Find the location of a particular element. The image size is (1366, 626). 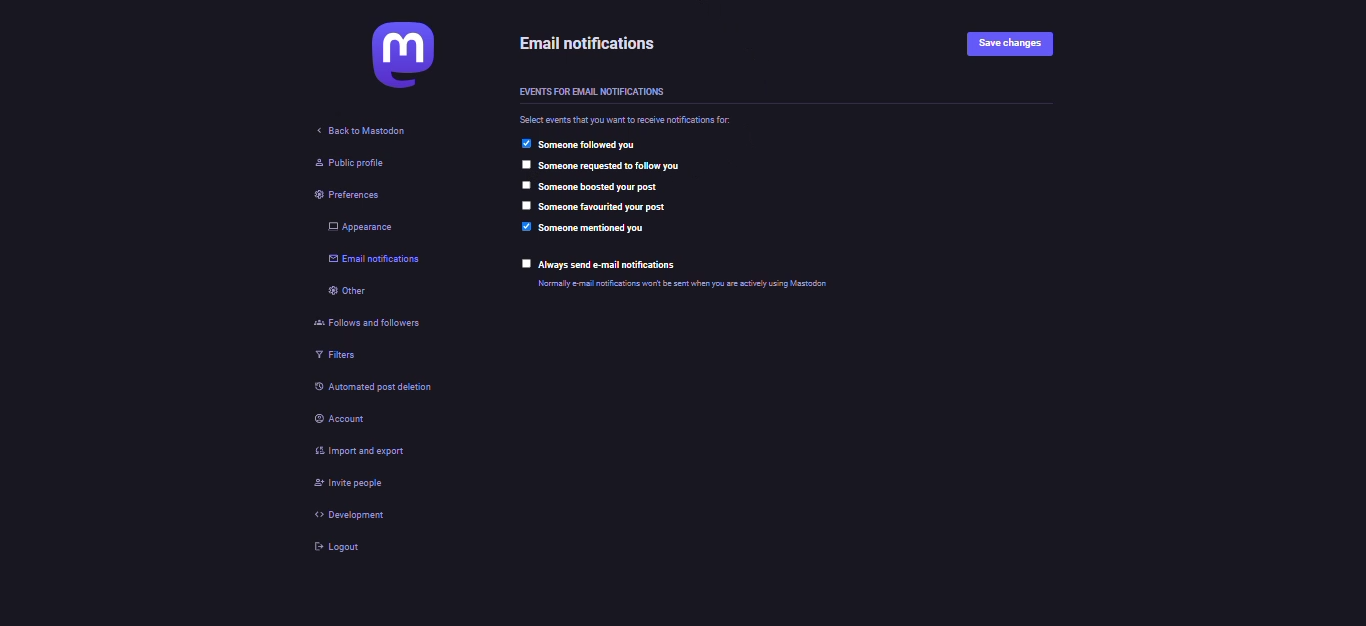

click to enable is located at coordinates (526, 185).